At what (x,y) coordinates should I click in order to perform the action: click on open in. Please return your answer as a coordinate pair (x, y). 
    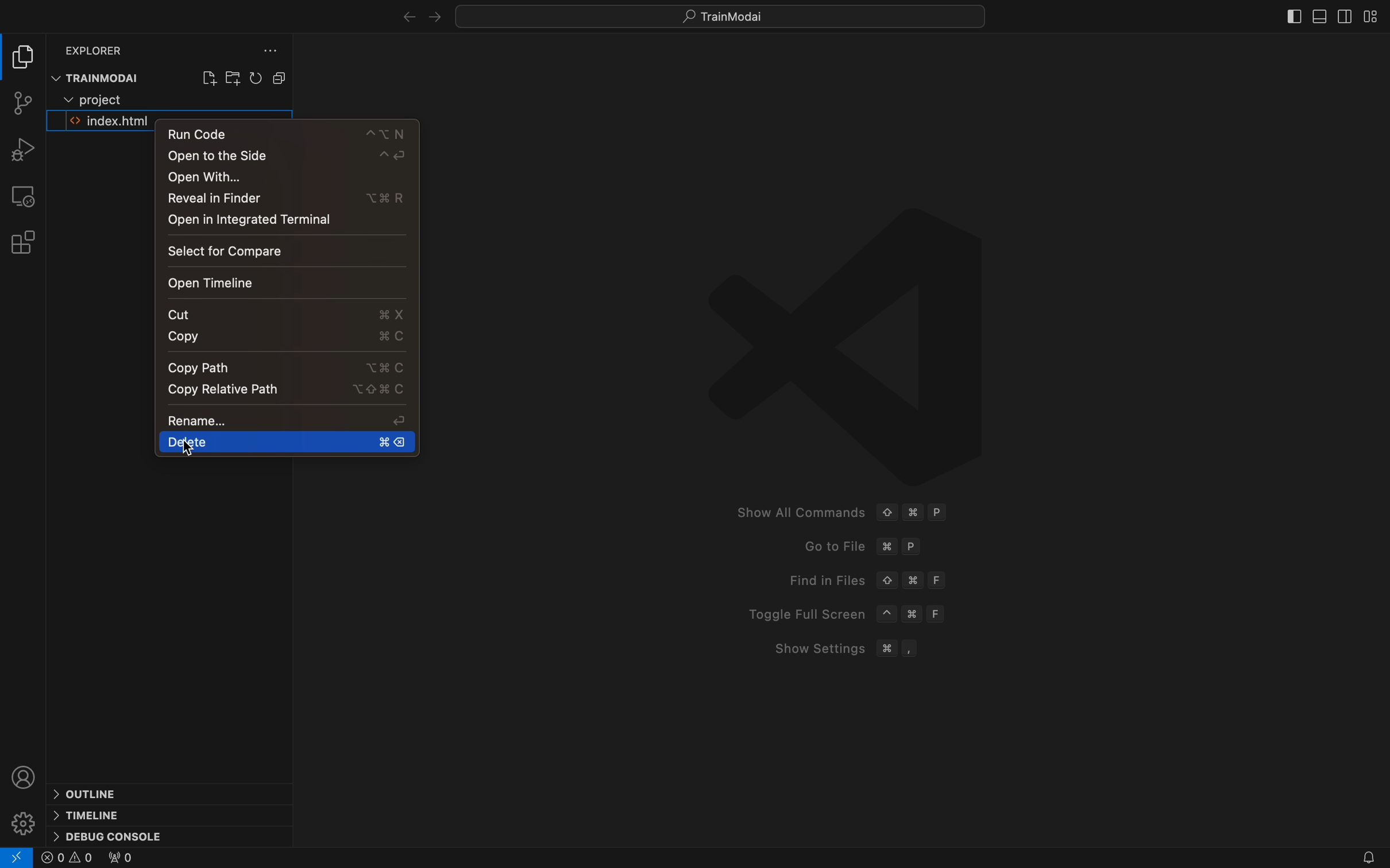
    Looking at the image, I should click on (248, 220).